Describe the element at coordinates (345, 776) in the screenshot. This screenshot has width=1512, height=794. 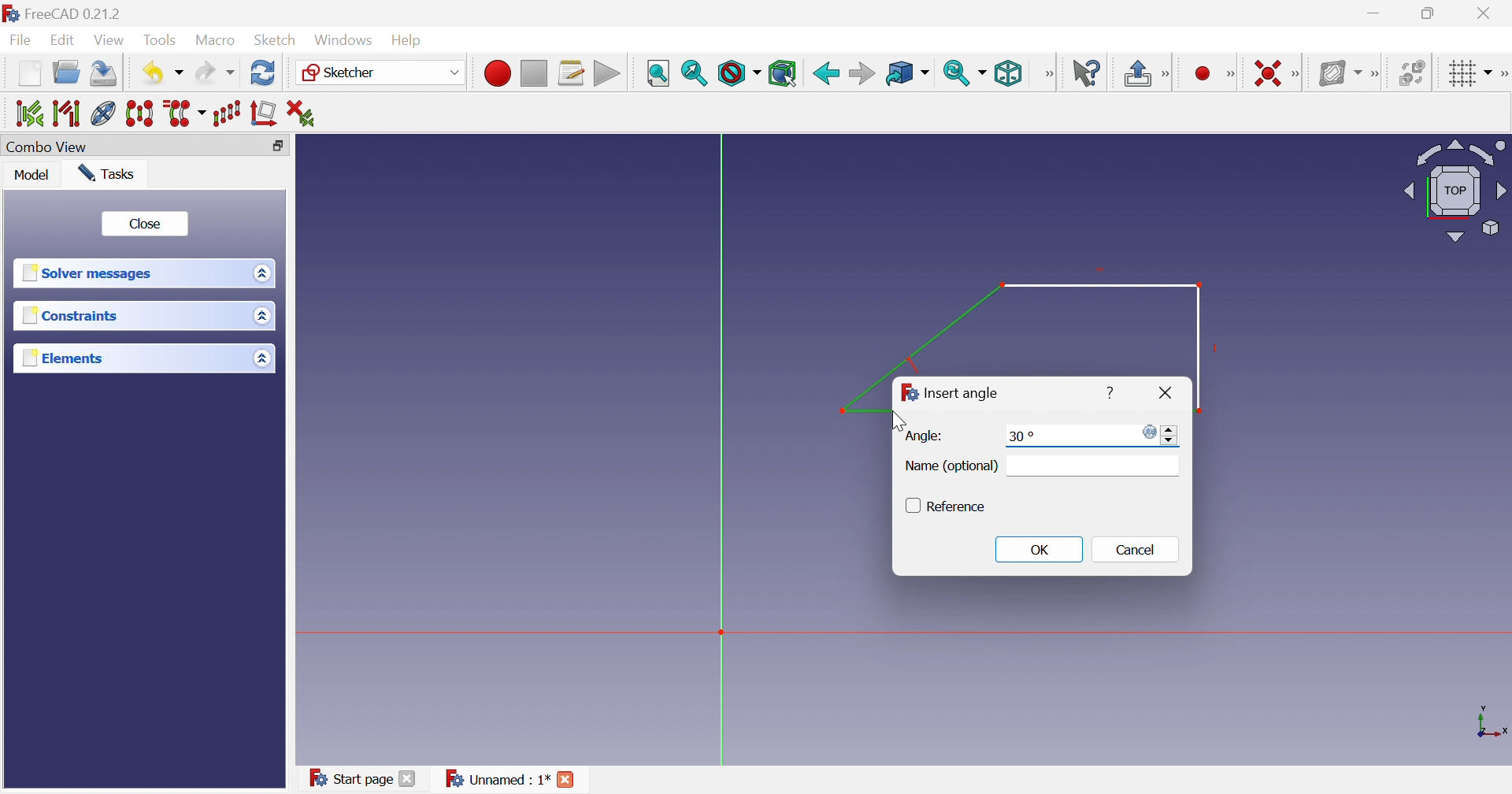
I see `Start page` at that location.